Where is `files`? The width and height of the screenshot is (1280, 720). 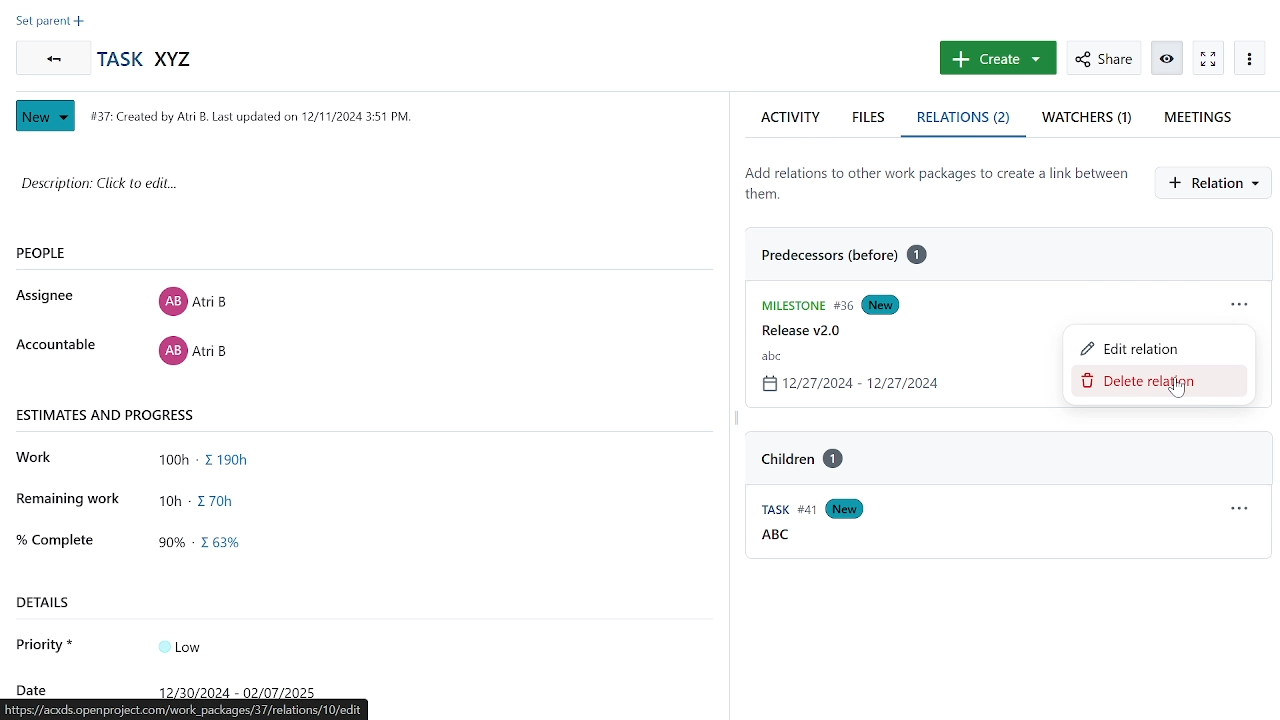
files is located at coordinates (871, 117).